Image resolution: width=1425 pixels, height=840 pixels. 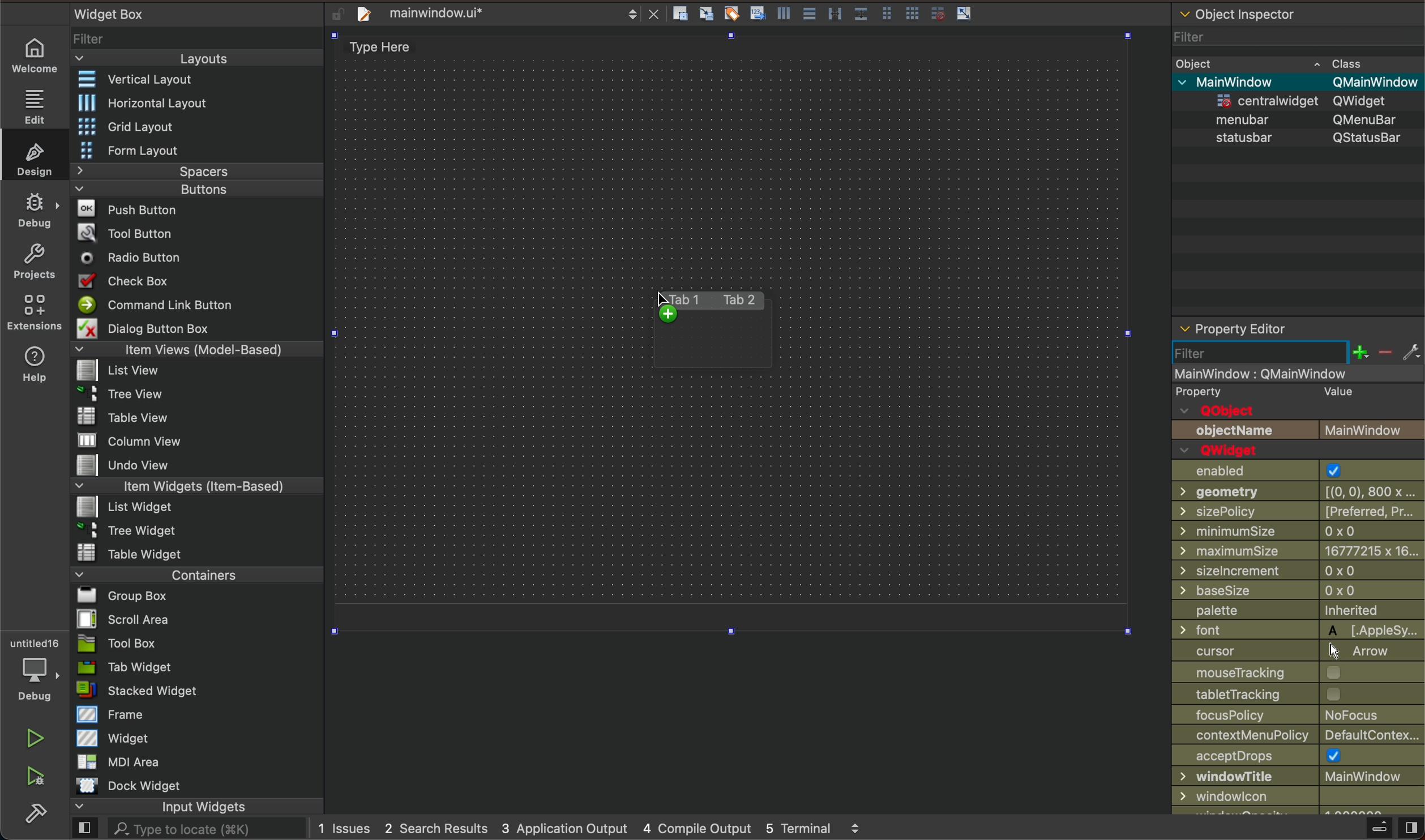 What do you see at coordinates (685, 331) in the screenshot?
I see `drag to` at bounding box center [685, 331].